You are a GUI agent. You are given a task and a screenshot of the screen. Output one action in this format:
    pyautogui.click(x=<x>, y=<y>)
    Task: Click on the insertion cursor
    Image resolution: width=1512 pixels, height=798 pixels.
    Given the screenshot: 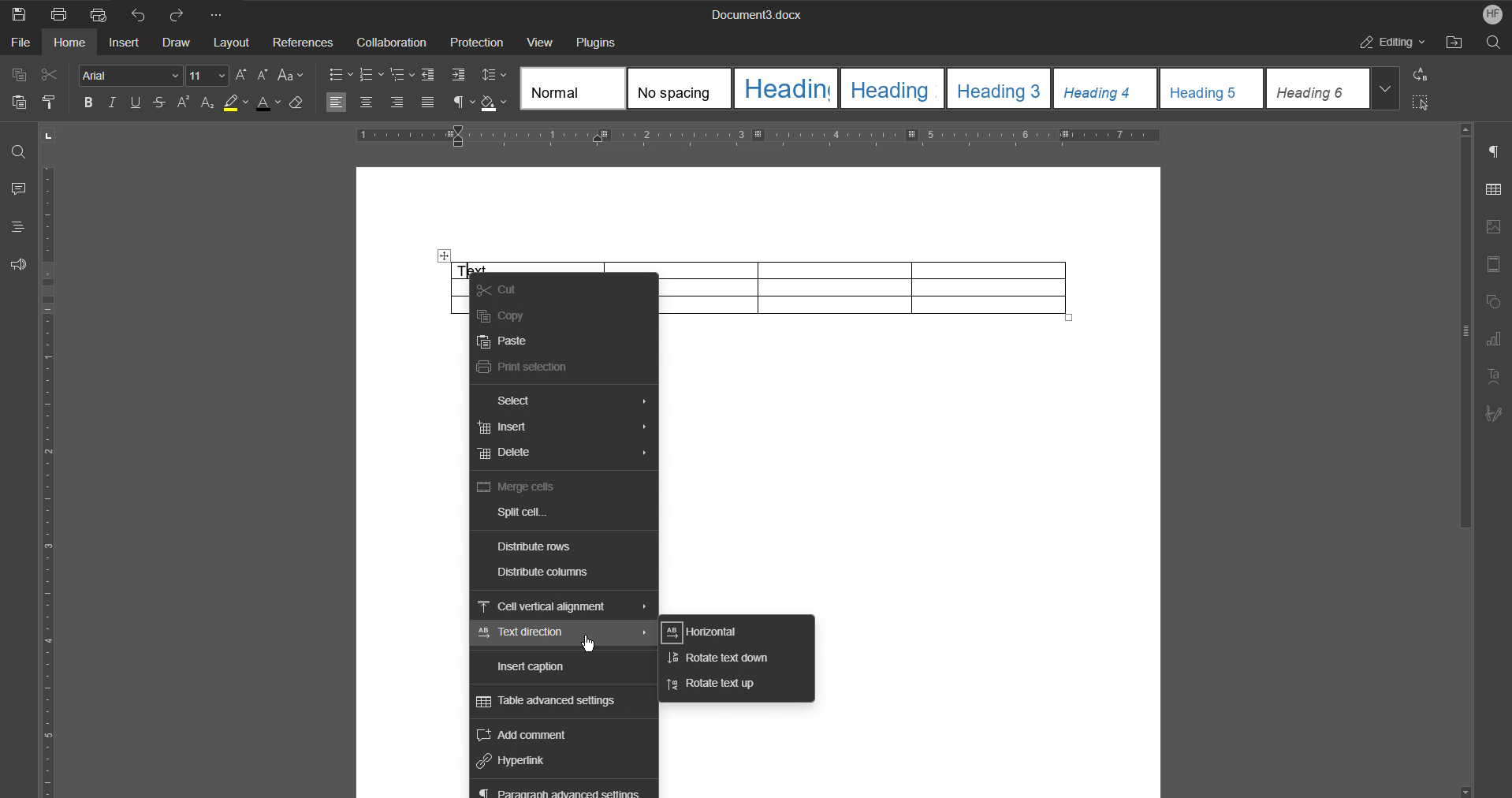 What is the action you would take?
    pyautogui.click(x=472, y=268)
    